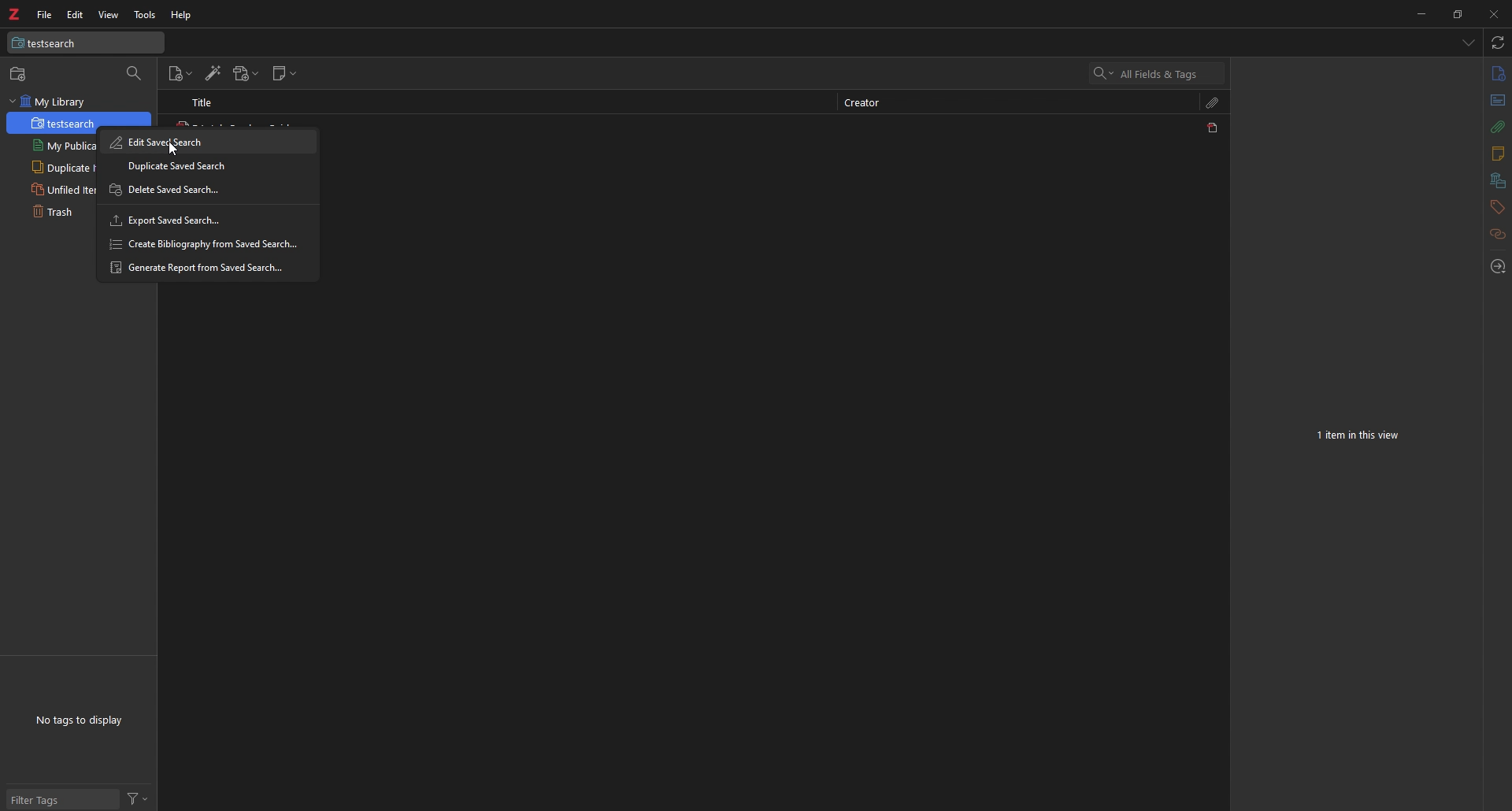 This screenshot has height=811, width=1512. What do you see at coordinates (63, 799) in the screenshot?
I see `filter tags` at bounding box center [63, 799].